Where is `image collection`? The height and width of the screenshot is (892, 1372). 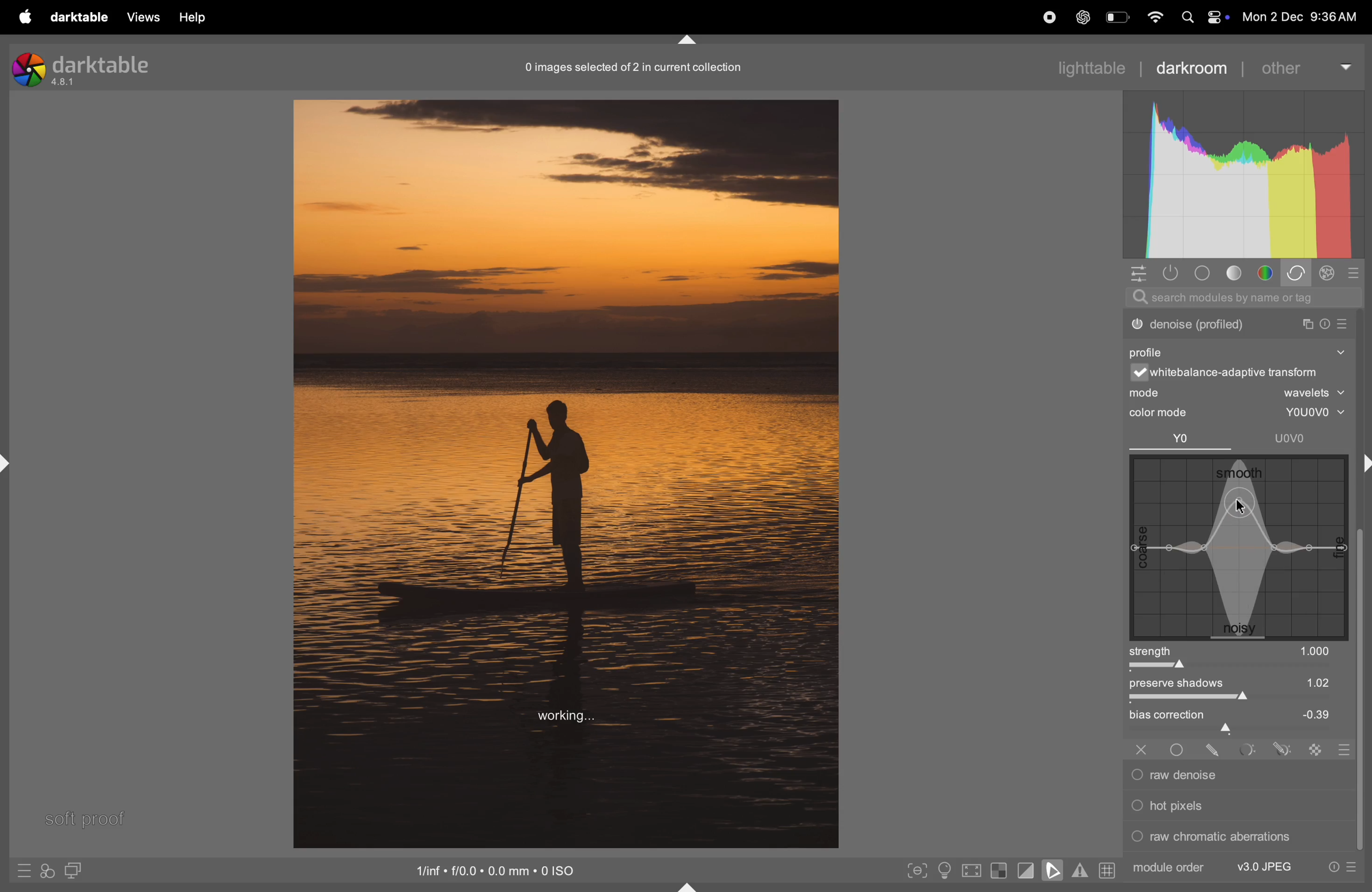
image collection is located at coordinates (631, 67).